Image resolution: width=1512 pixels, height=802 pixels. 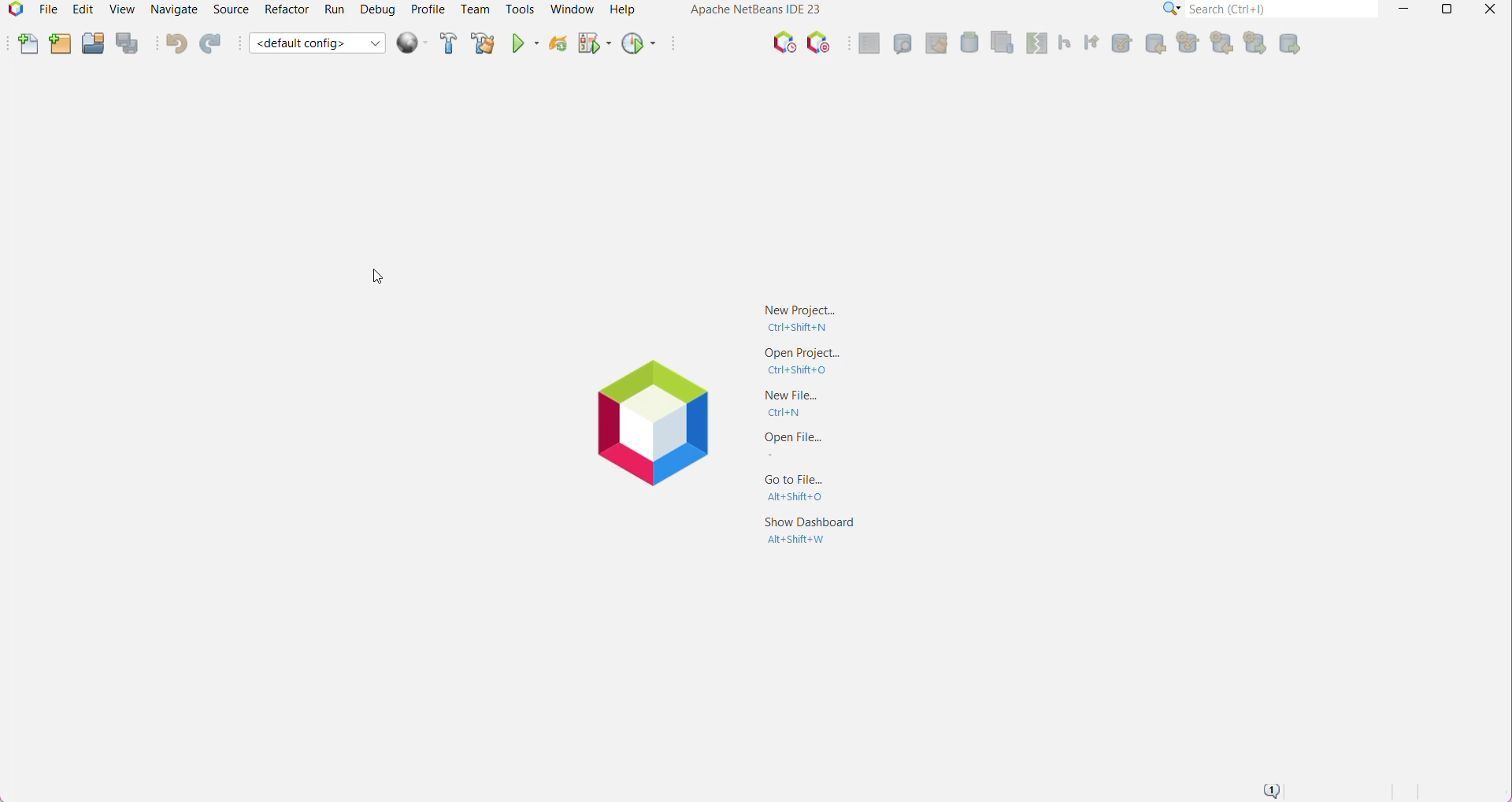 What do you see at coordinates (428, 9) in the screenshot?
I see `Profile` at bounding box center [428, 9].